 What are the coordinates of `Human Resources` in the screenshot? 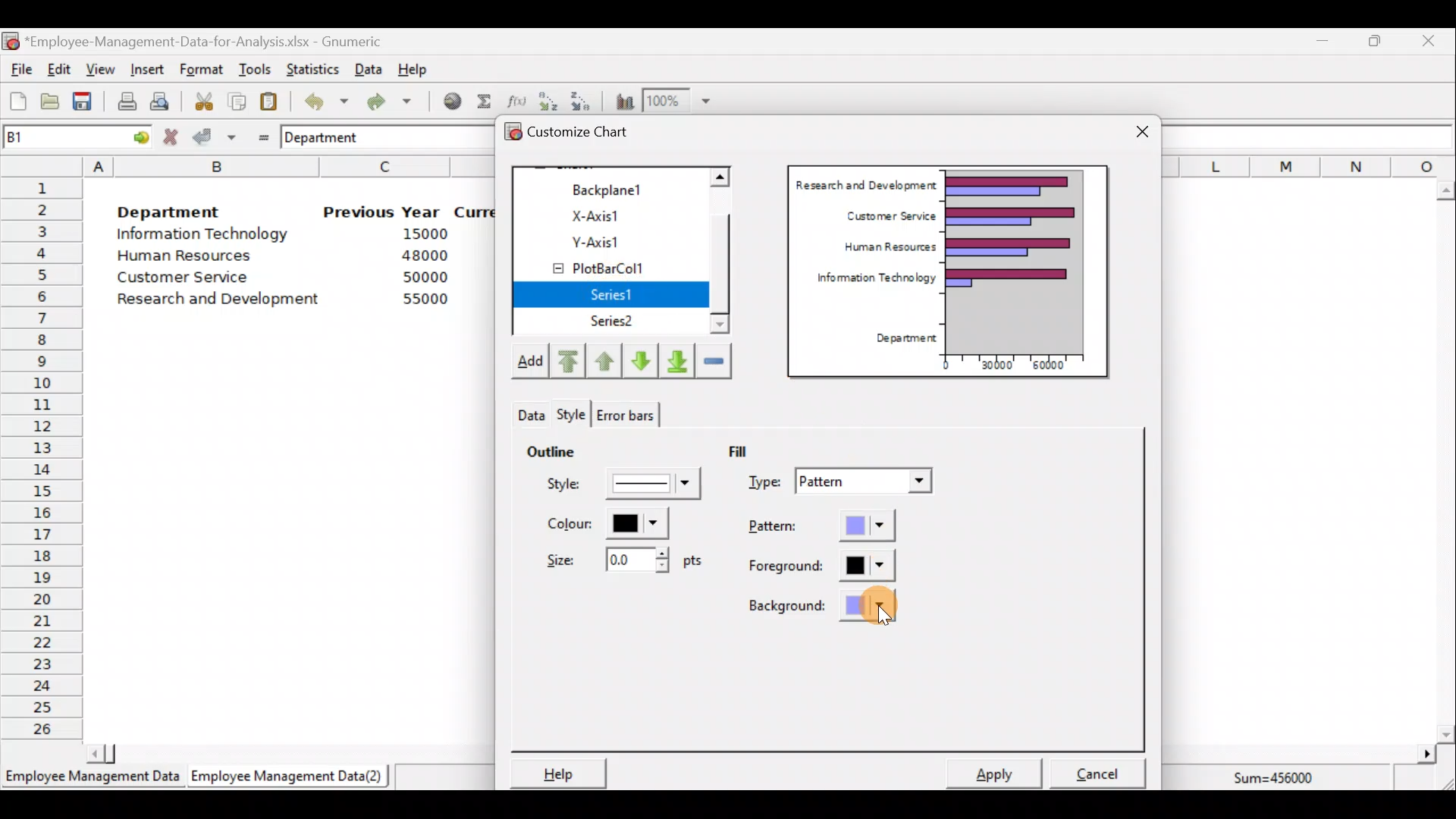 It's located at (192, 257).